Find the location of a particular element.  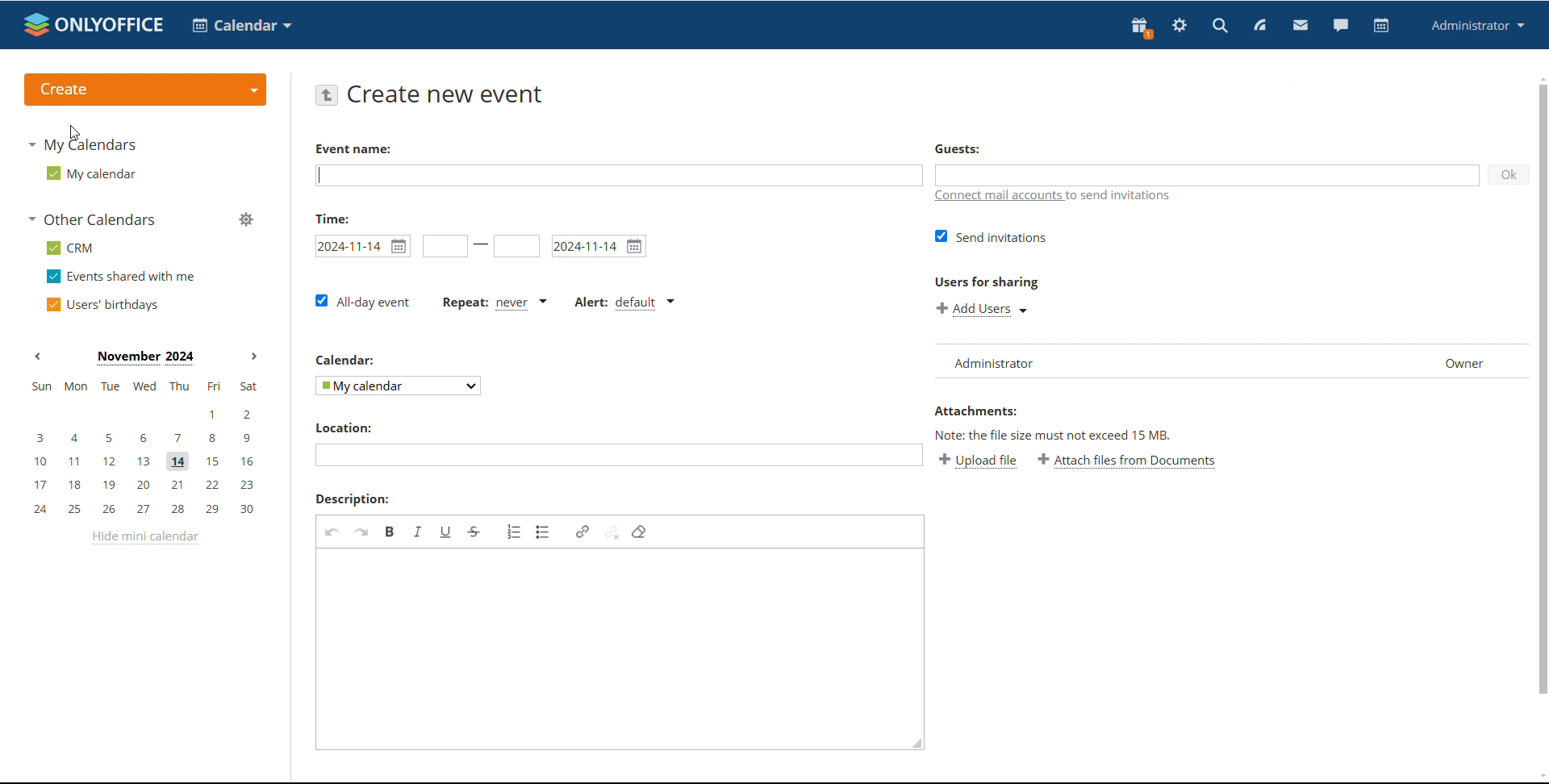

scroll down is located at coordinates (1539, 778).